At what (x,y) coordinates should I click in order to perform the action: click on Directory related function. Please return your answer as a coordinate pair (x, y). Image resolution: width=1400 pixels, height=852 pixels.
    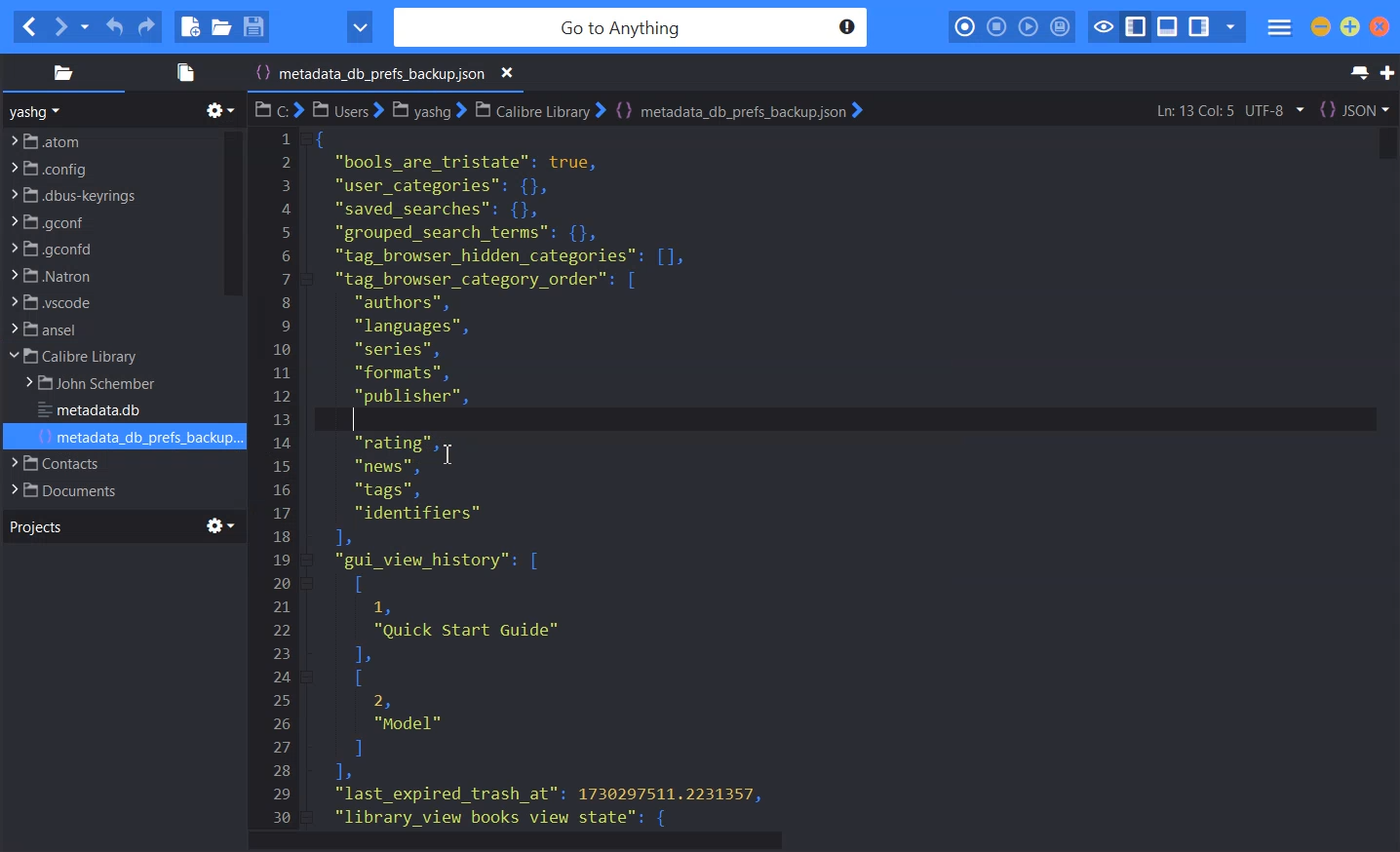
    Looking at the image, I should click on (220, 110).